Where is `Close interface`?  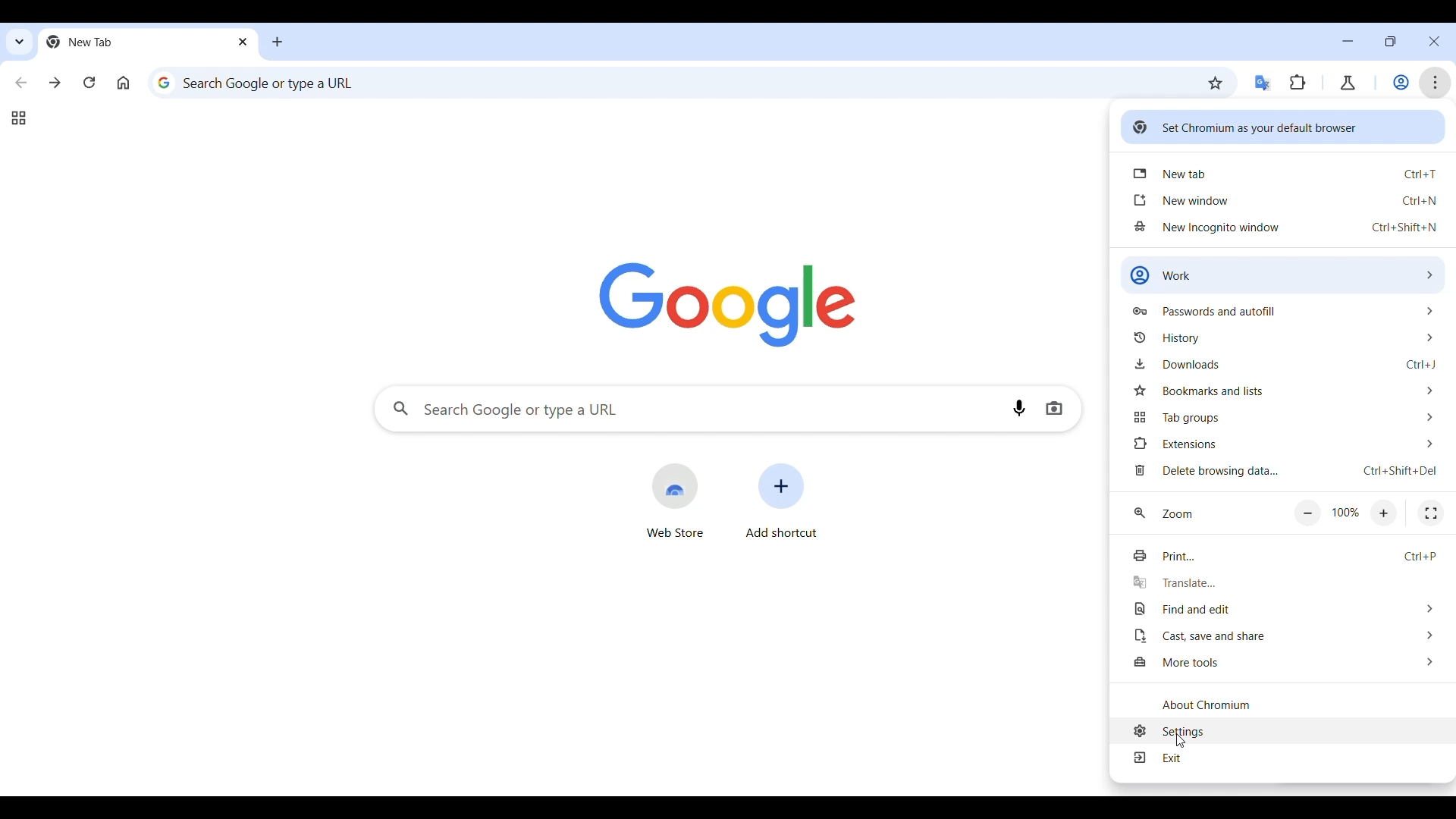 Close interface is located at coordinates (1435, 41).